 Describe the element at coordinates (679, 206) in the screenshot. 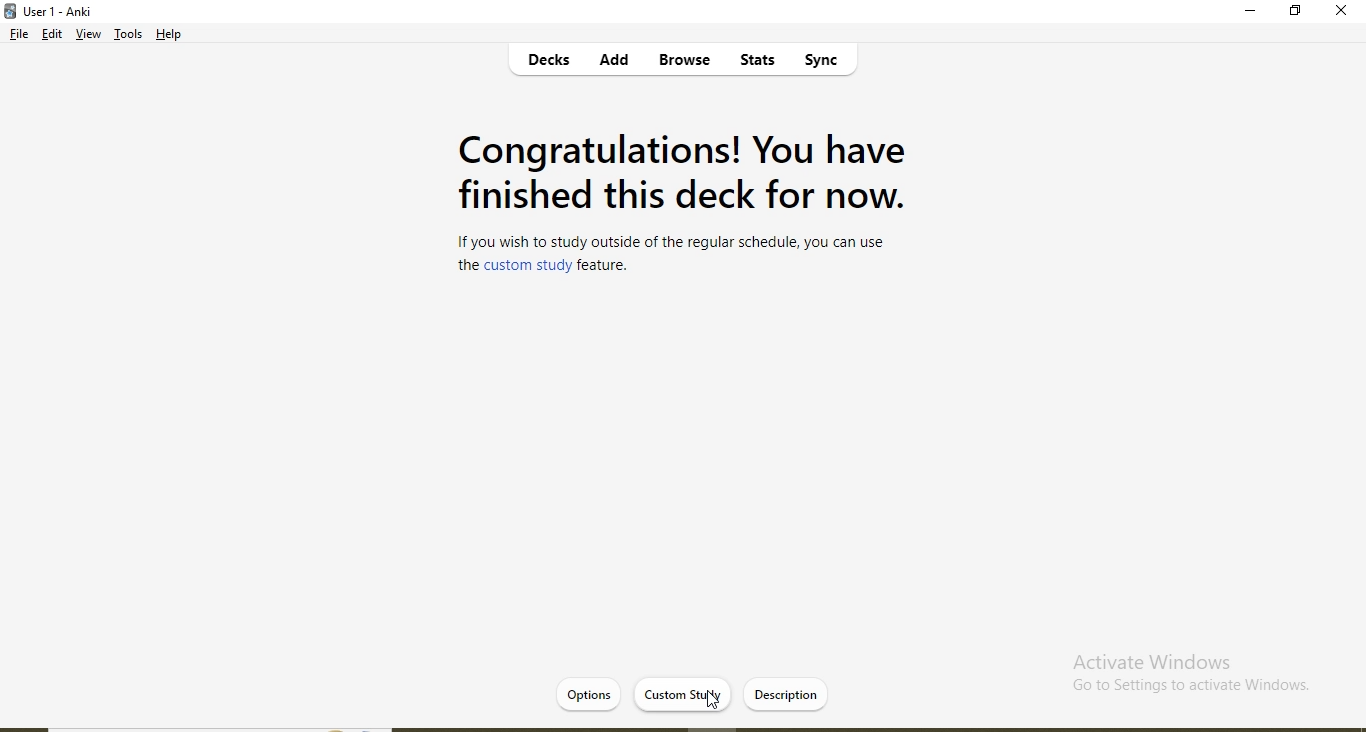

I see `Congratulations! You have
finished this deck for now.
If you wish to study outside of the regular schedule, you can use
the custom study feature.` at that location.